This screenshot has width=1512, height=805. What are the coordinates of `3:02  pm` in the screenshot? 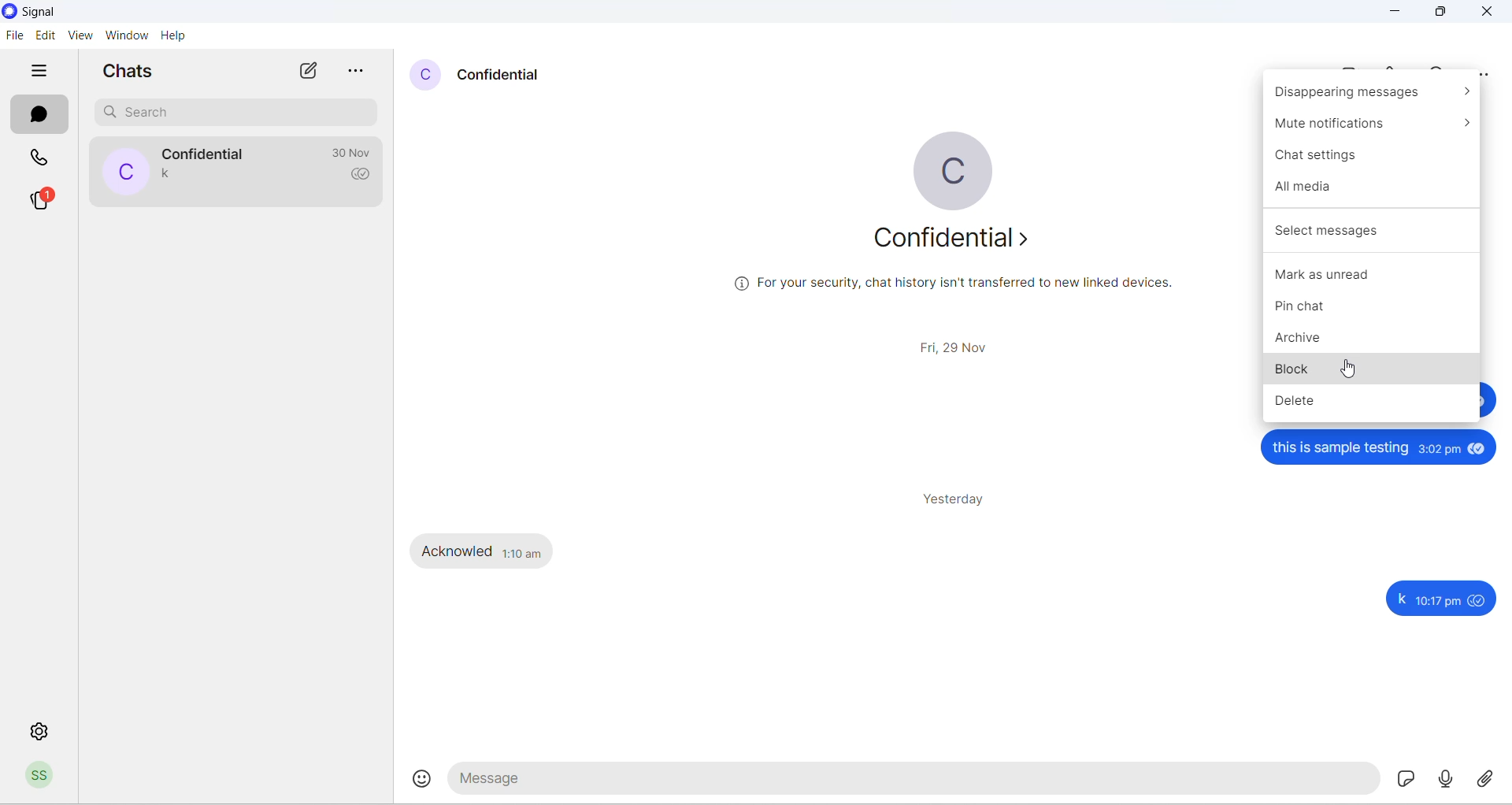 It's located at (1440, 449).